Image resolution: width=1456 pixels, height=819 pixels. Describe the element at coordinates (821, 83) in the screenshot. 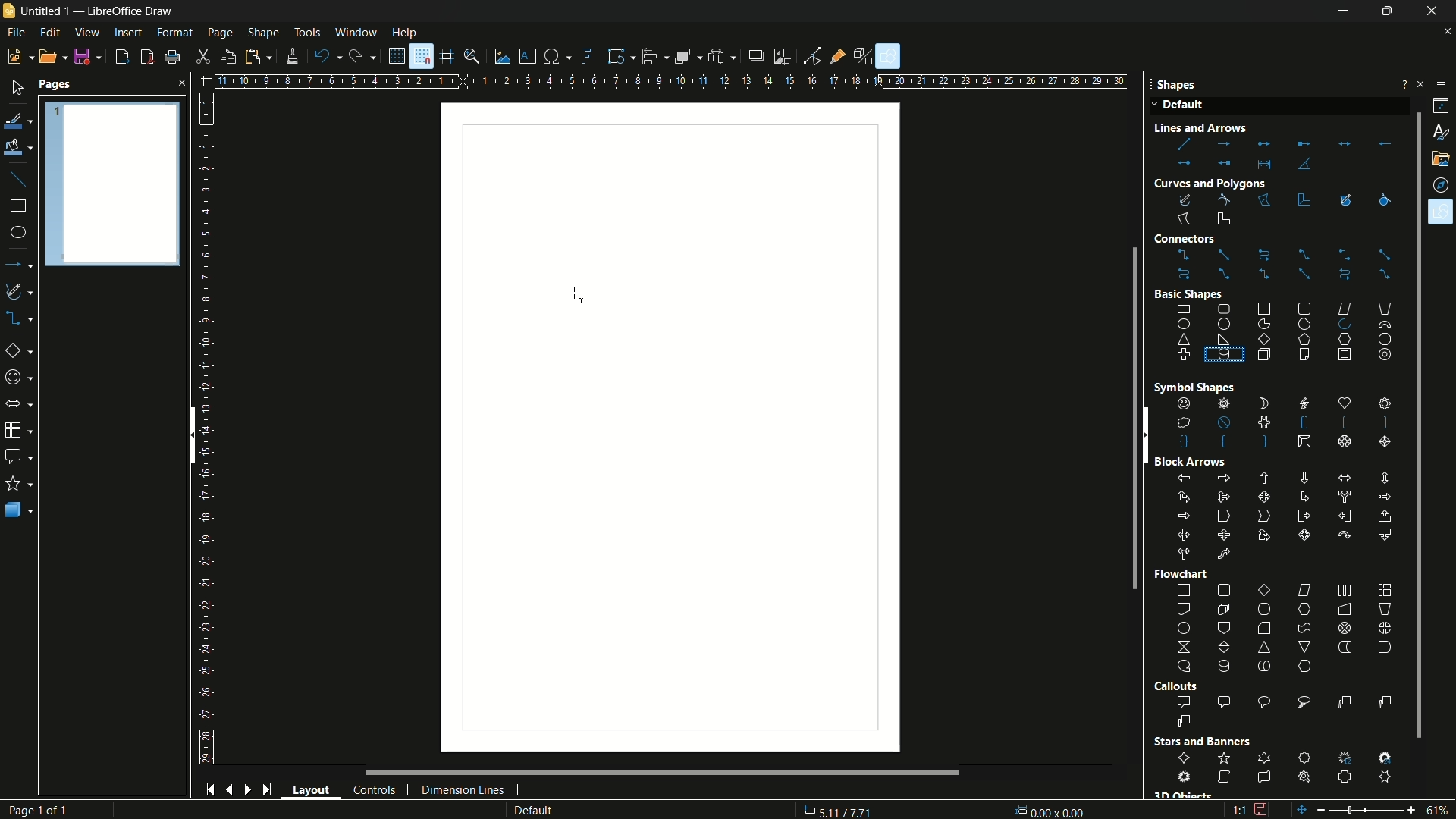

I see `width measure scale` at that location.